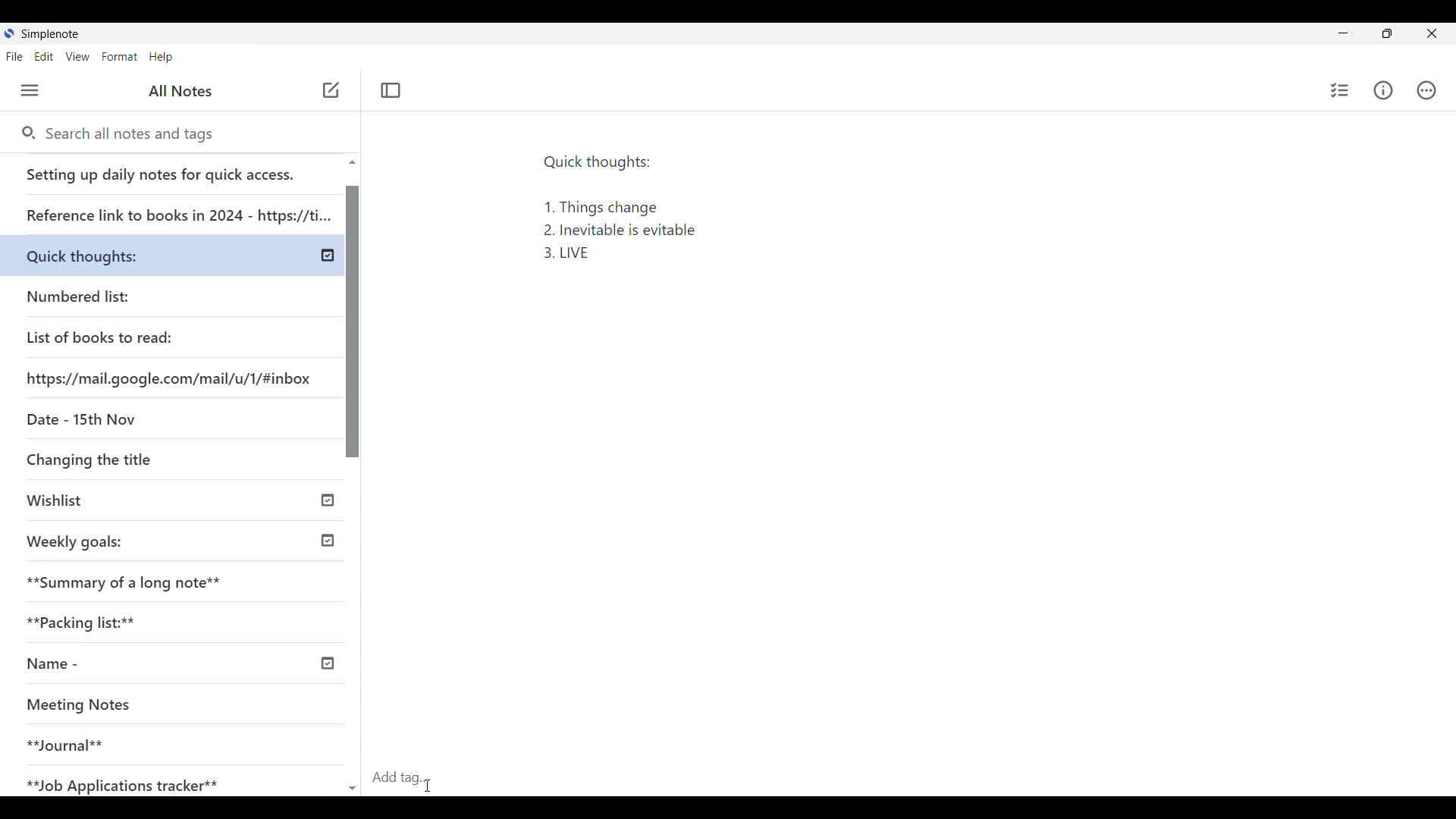 This screenshot has height=819, width=1456. Describe the element at coordinates (174, 171) in the screenshot. I see `Setting up daily notes` at that location.